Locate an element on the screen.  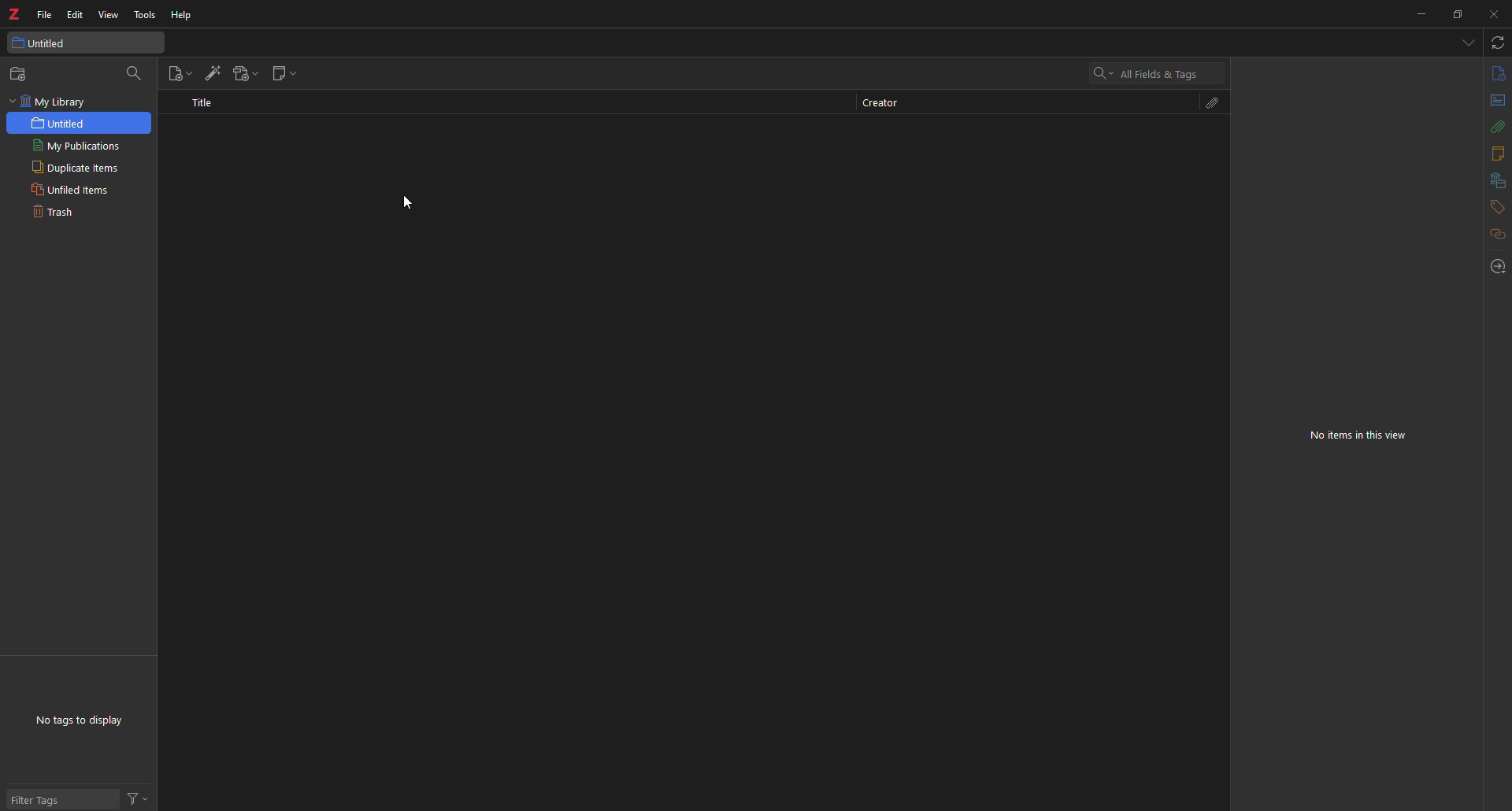
file is located at coordinates (44, 13).